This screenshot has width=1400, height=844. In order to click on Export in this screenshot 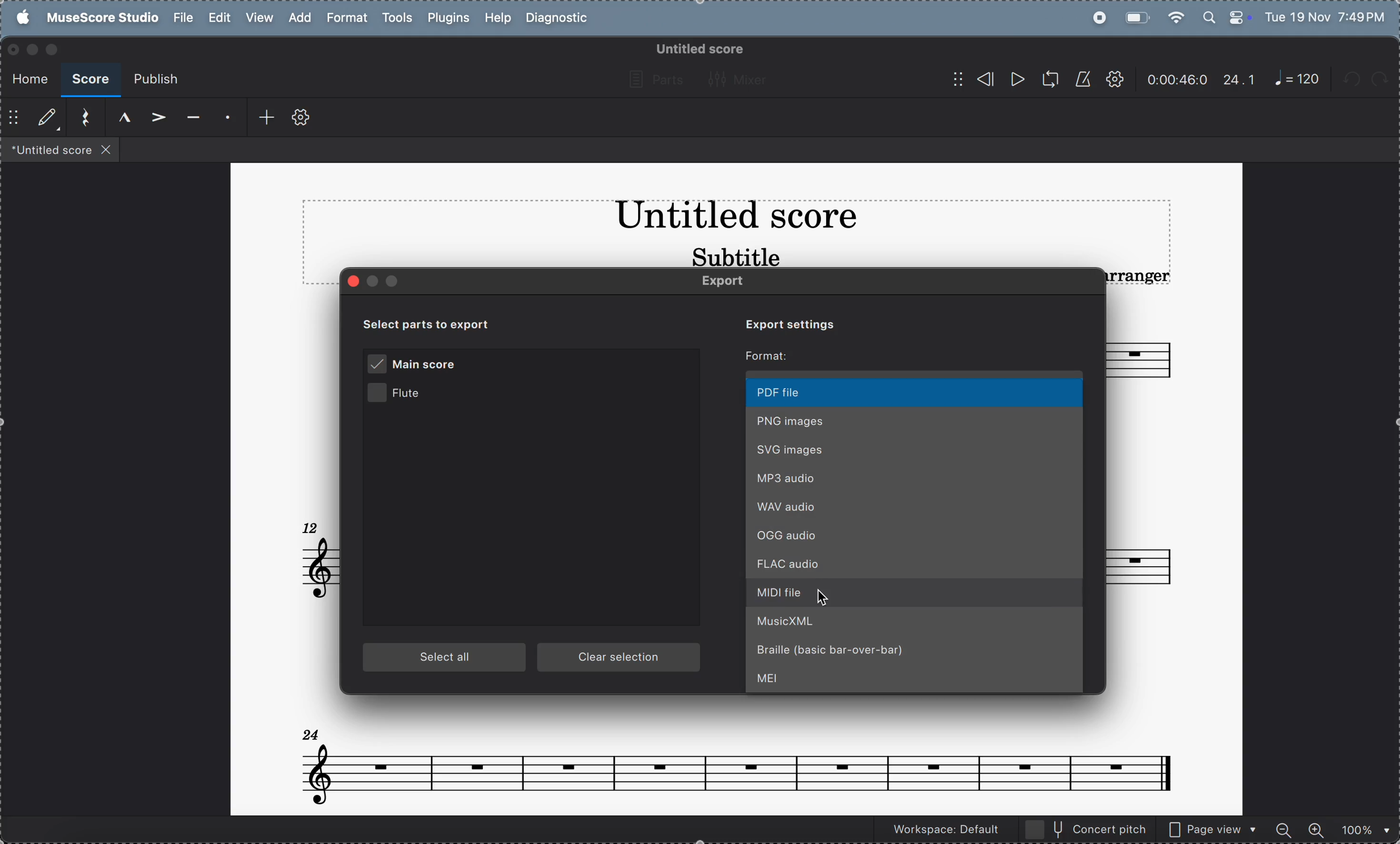, I will do `click(733, 282)`.